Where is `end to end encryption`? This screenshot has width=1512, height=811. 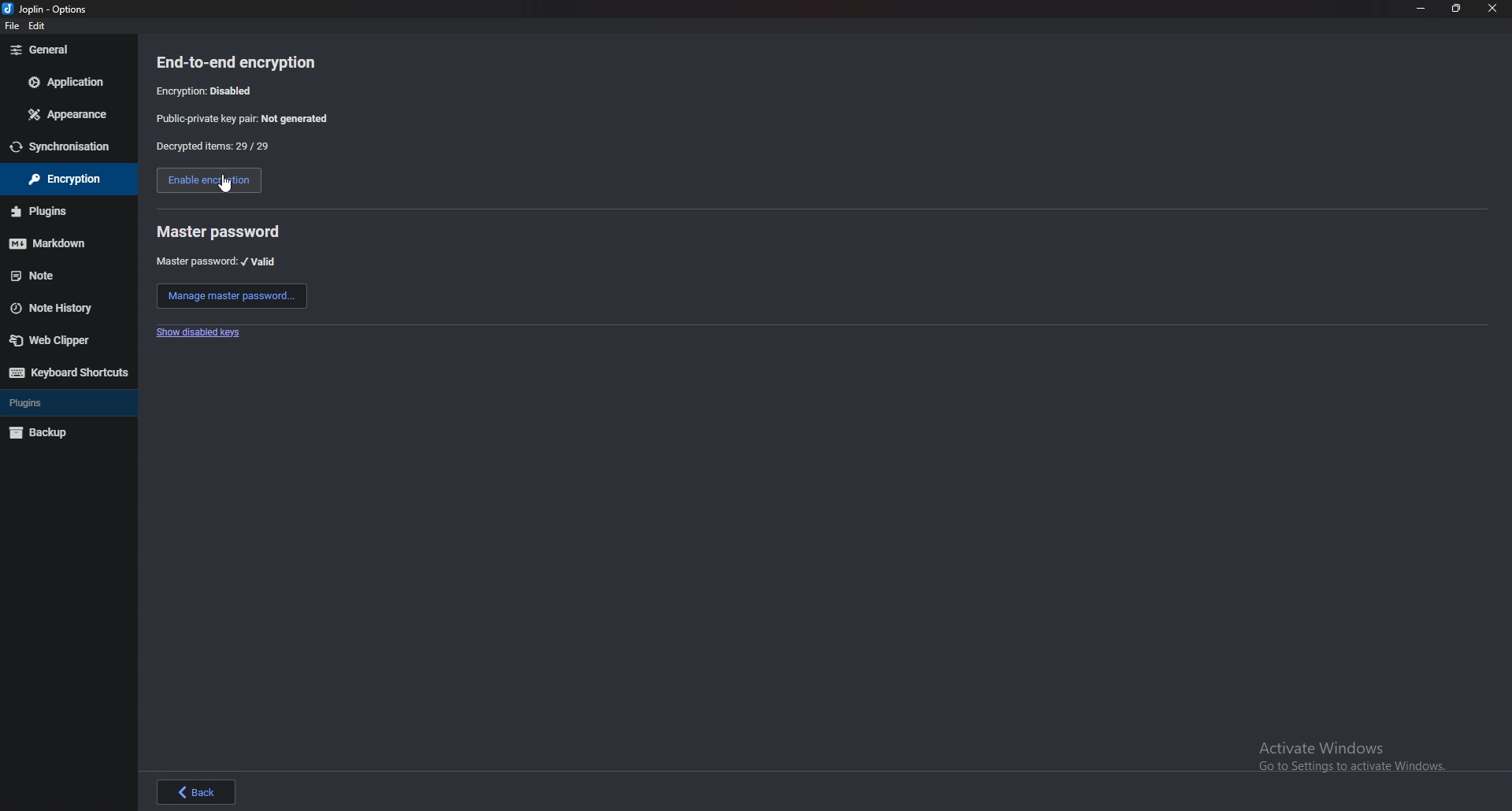
end to end encryption is located at coordinates (239, 61).